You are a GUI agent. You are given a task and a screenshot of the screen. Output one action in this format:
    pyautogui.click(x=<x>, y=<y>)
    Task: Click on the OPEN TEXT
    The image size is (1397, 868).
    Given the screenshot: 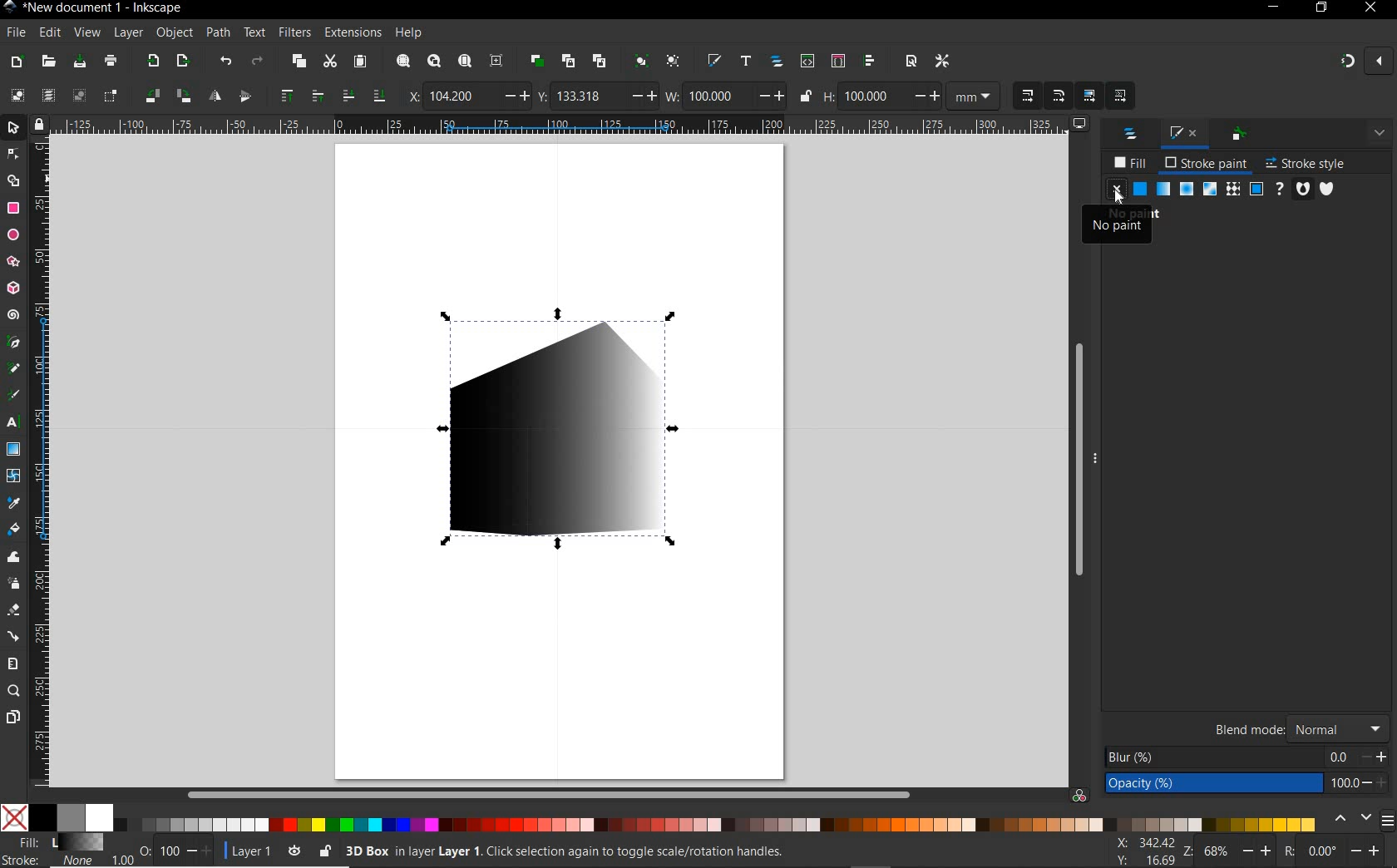 What is the action you would take?
    pyautogui.click(x=748, y=62)
    